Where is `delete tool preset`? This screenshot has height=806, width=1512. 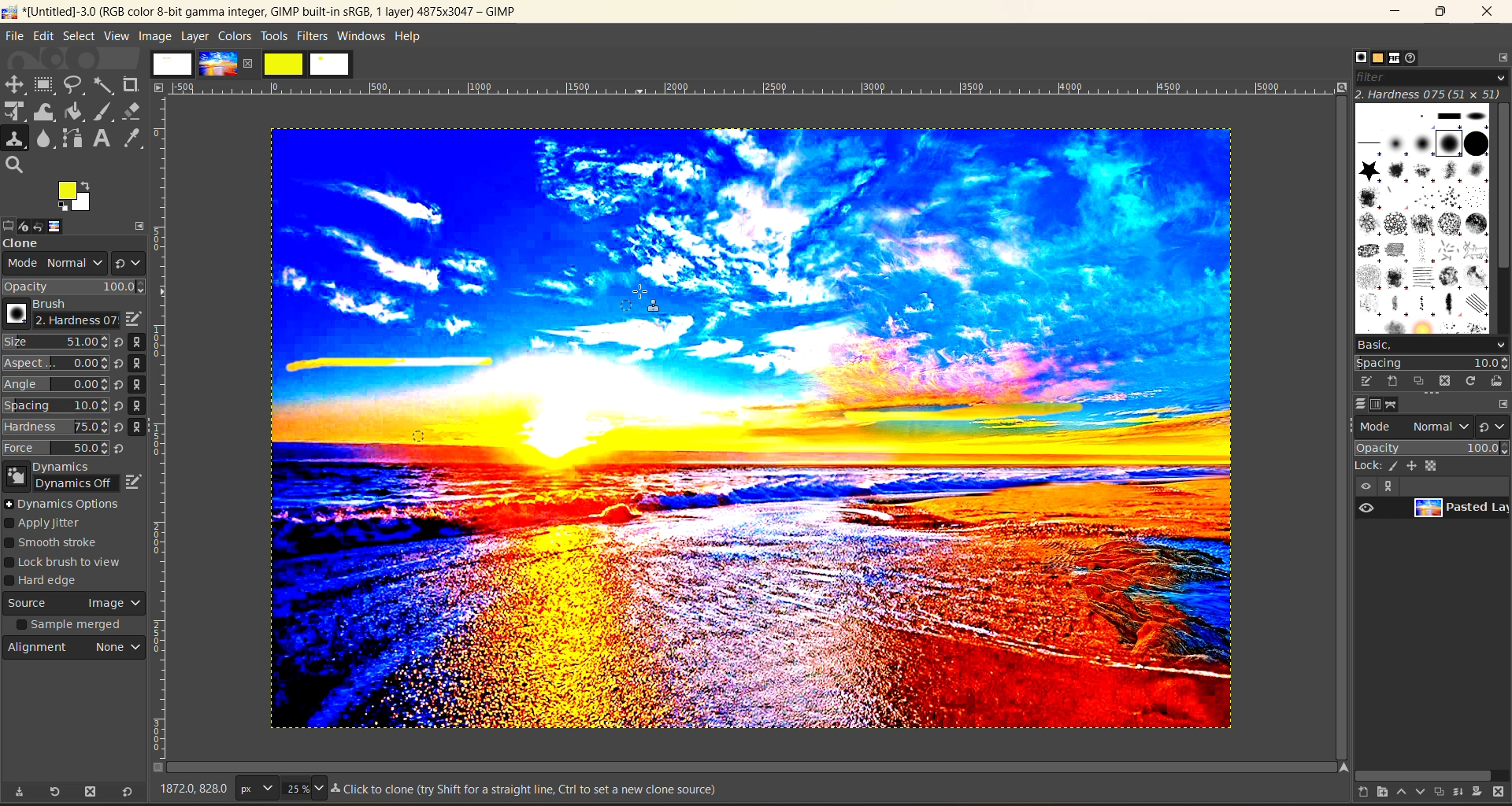 delete tool preset is located at coordinates (91, 793).